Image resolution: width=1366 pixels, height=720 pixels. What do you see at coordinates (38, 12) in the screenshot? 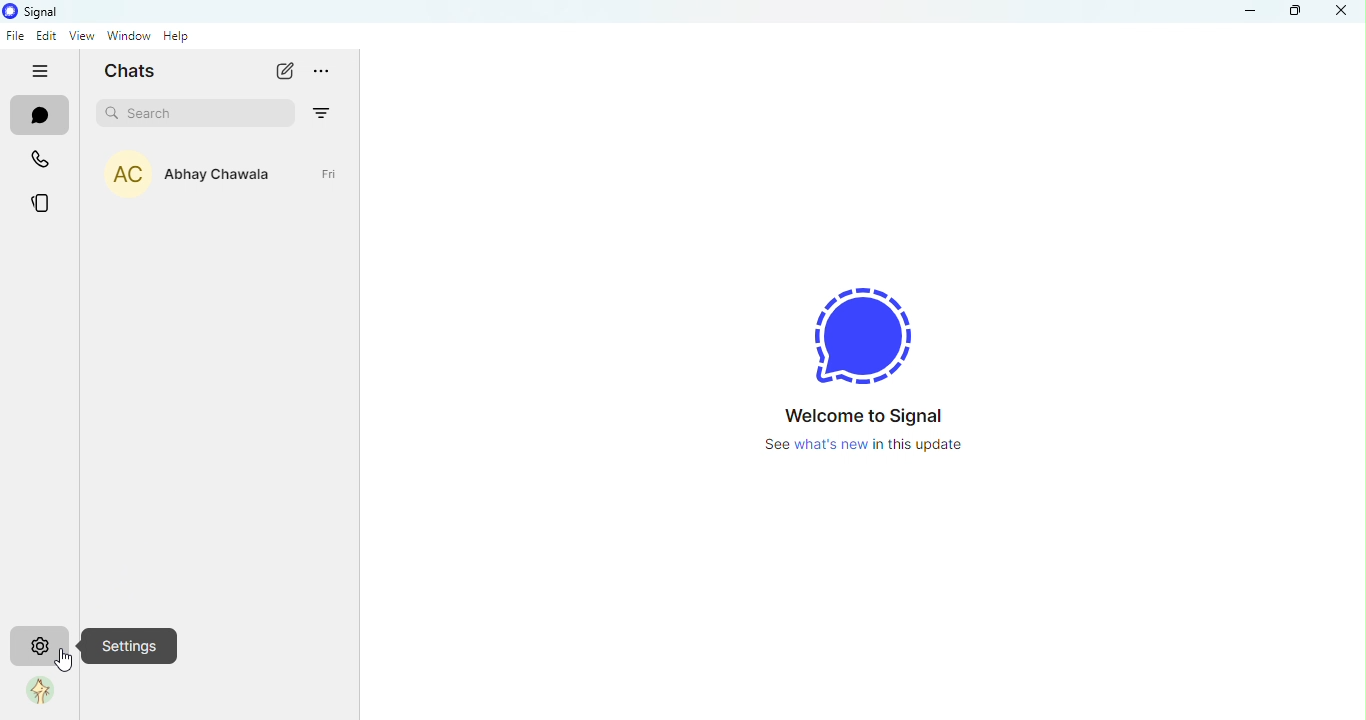
I see `icon` at bounding box center [38, 12].